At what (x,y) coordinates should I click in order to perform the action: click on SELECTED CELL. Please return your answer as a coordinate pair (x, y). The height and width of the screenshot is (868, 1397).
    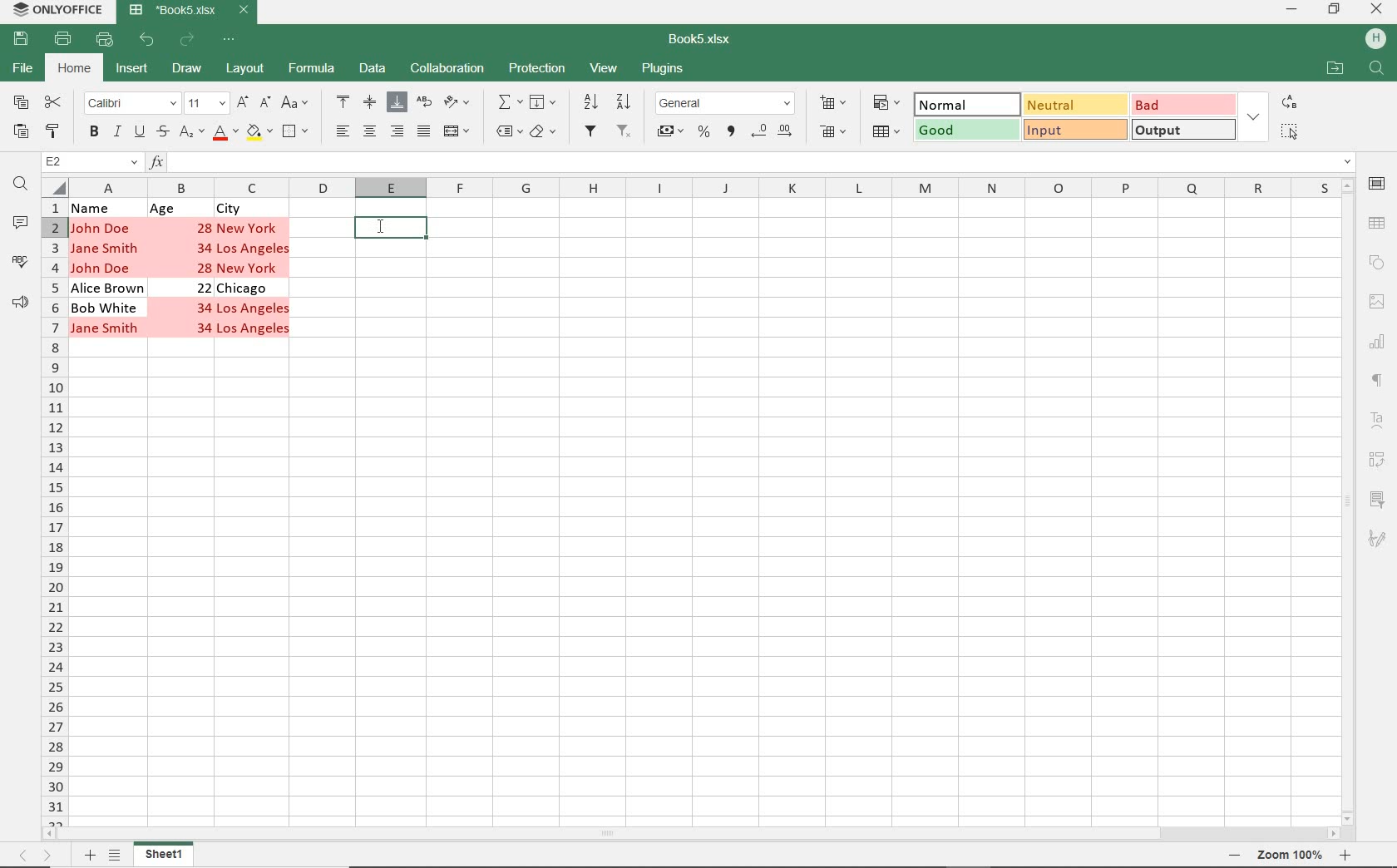
    Looking at the image, I should click on (398, 233).